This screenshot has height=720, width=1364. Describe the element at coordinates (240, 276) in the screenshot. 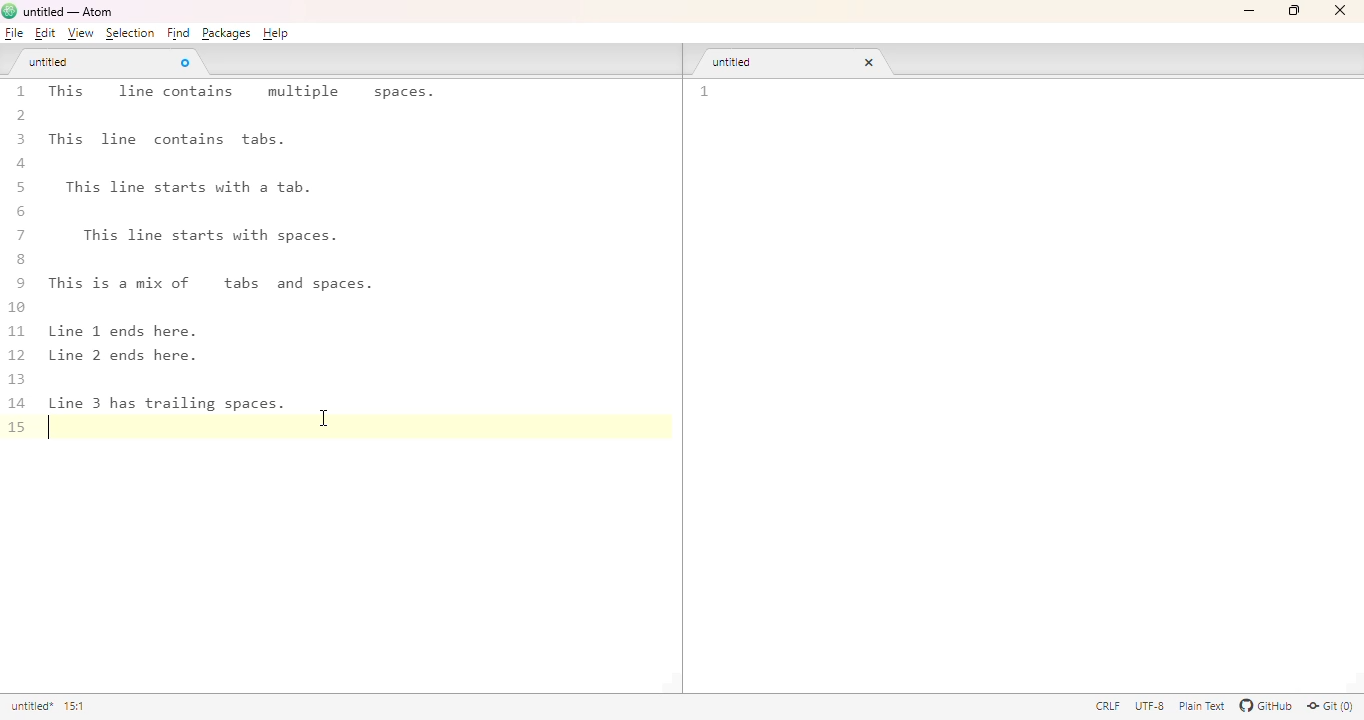

I see `1 This line contains multiple spaces.
2

3 This line contains tabs.

.

5 This line starts with a tab.

6

7 This line starts with spaces.

8

9 This is a mix of tabs and spaces.

10

11 Line 1 ends here.

12 Line 2 ends here.

13

14 Line 3 has trailing spaces.

s | Lo` at that location.